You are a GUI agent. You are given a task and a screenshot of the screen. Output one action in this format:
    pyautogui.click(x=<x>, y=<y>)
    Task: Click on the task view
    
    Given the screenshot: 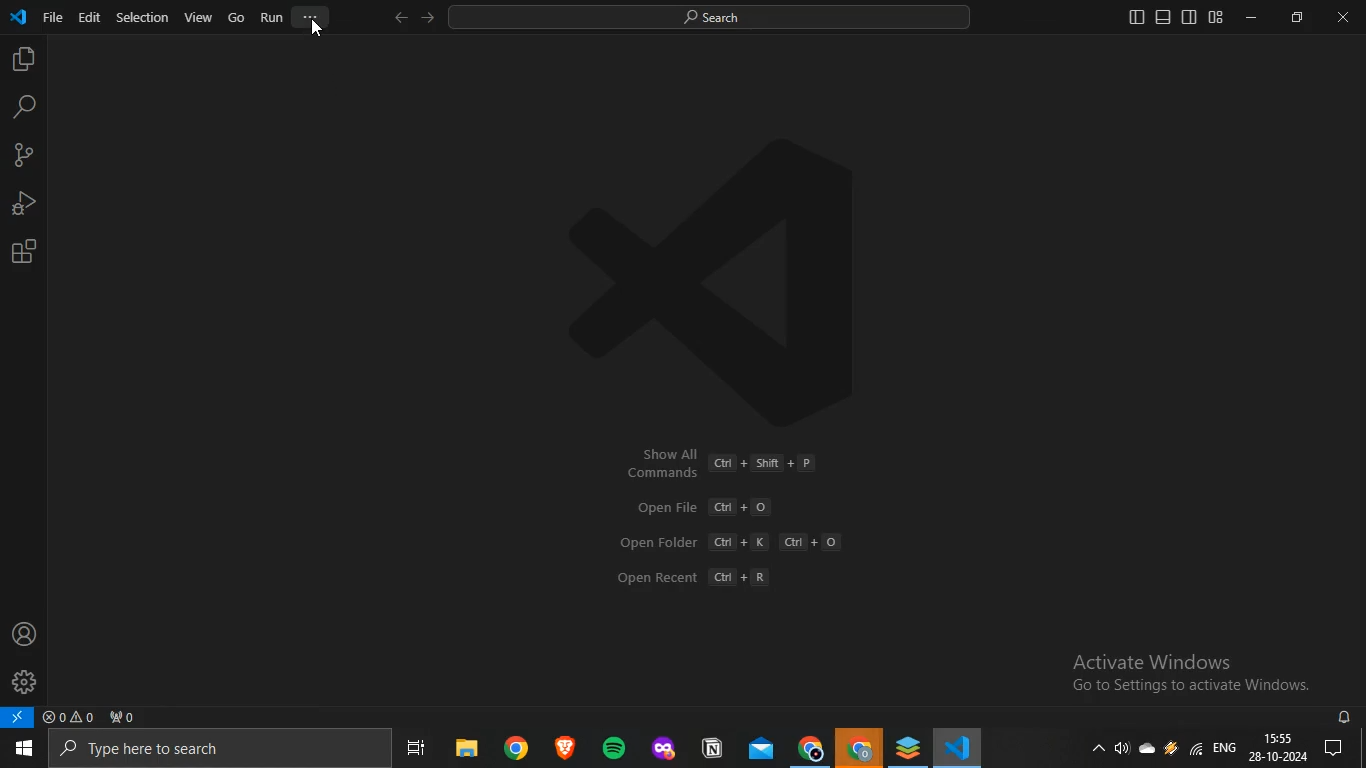 What is the action you would take?
    pyautogui.click(x=421, y=750)
    